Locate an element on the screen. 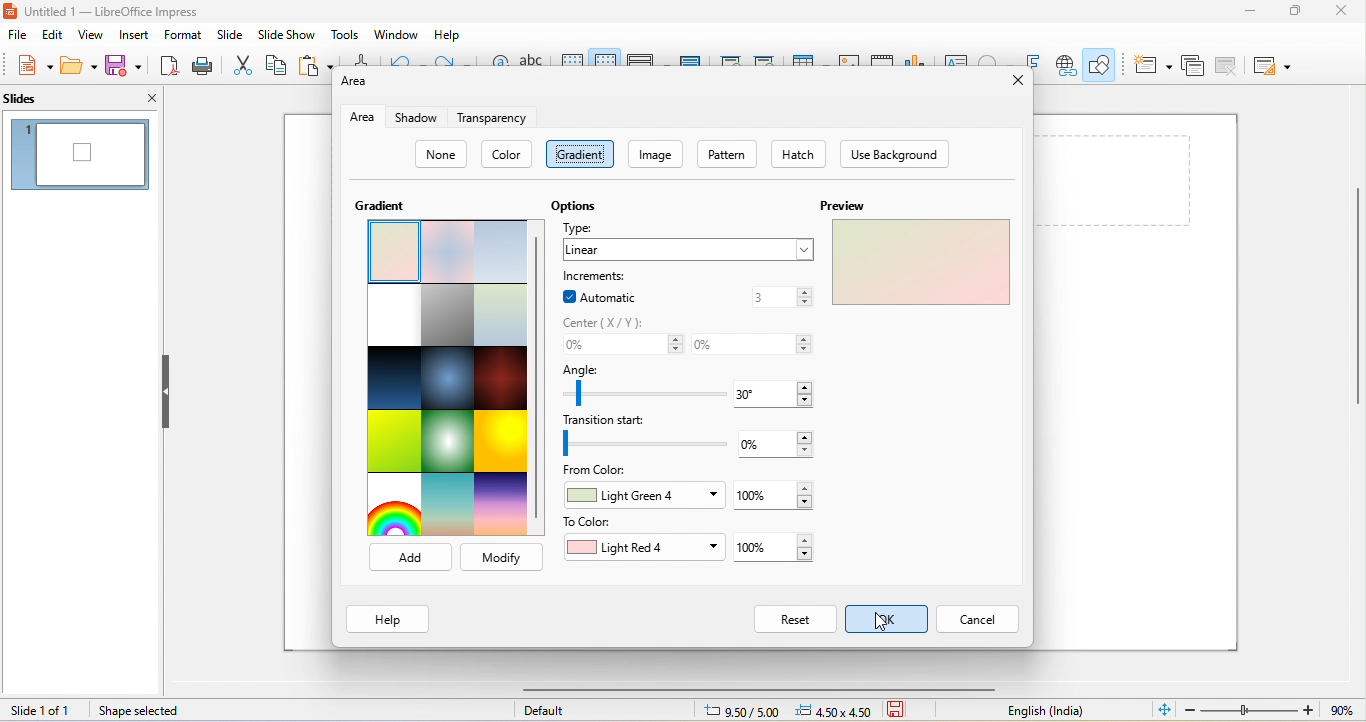 The image size is (1366, 722). shadow is located at coordinates (420, 119).